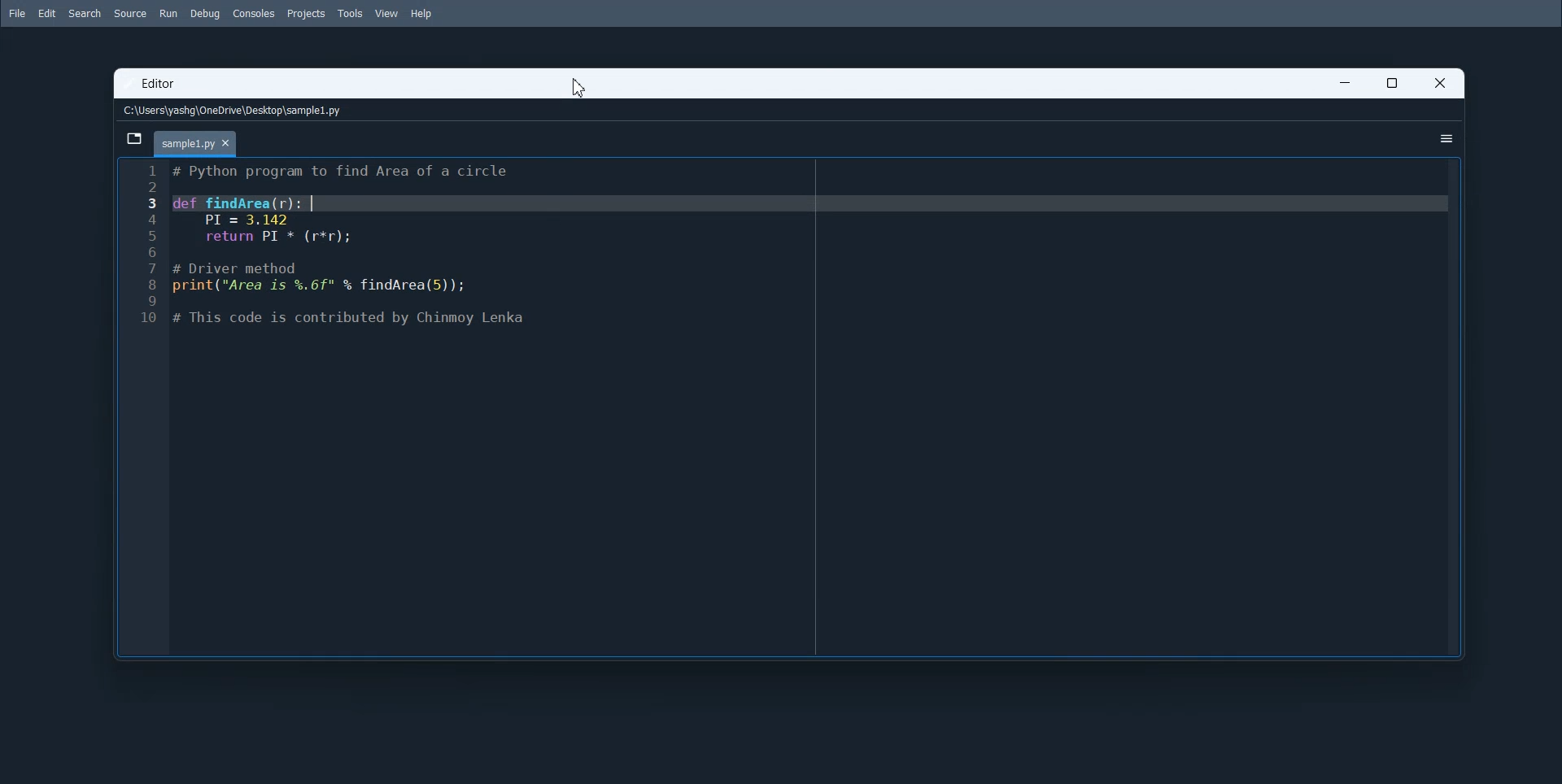  What do you see at coordinates (135, 139) in the screenshot?
I see `Browse Tab` at bounding box center [135, 139].